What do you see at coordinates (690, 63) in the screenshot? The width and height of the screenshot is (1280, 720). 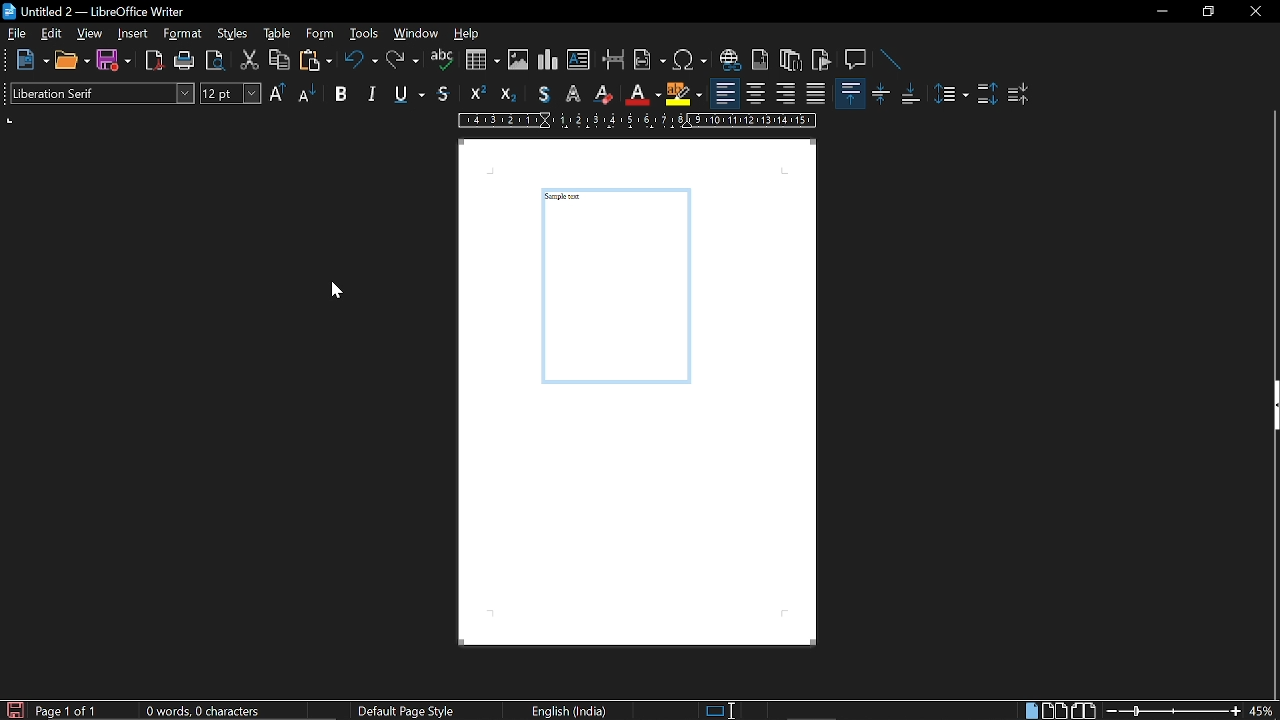 I see `insert symbol` at bounding box center [690, 63].